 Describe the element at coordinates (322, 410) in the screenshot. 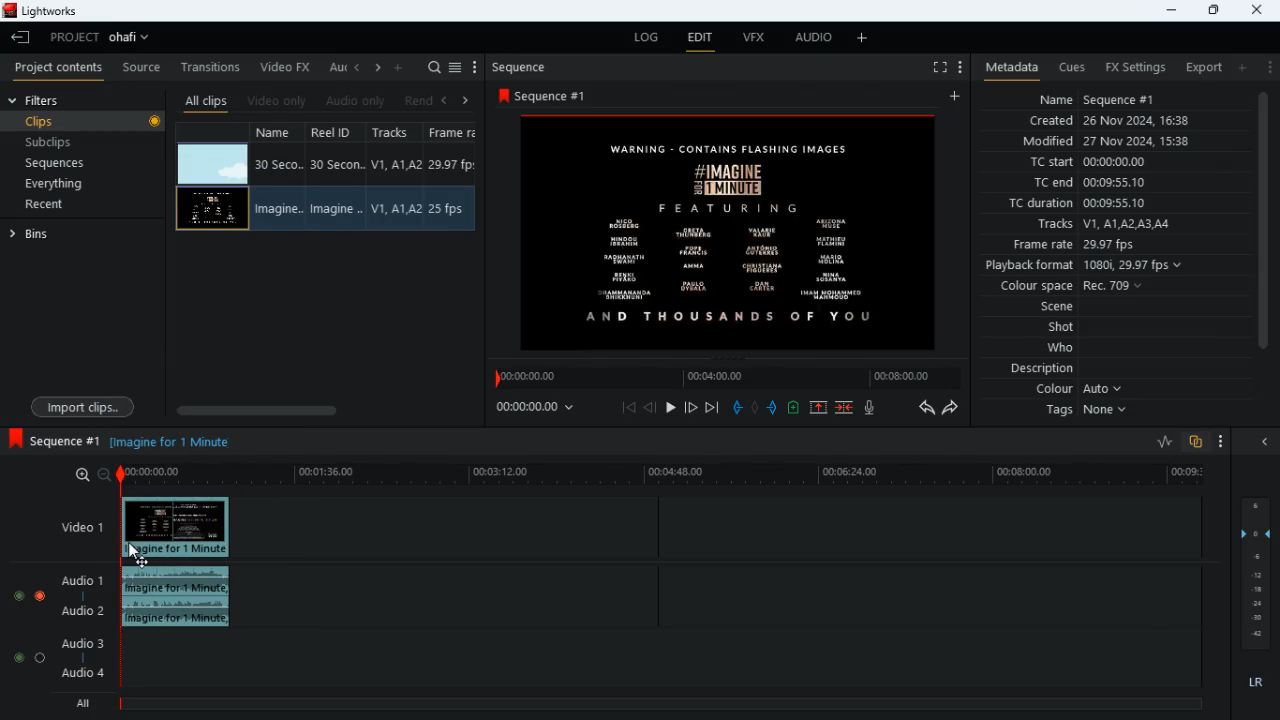

I see `scroll` at that location.